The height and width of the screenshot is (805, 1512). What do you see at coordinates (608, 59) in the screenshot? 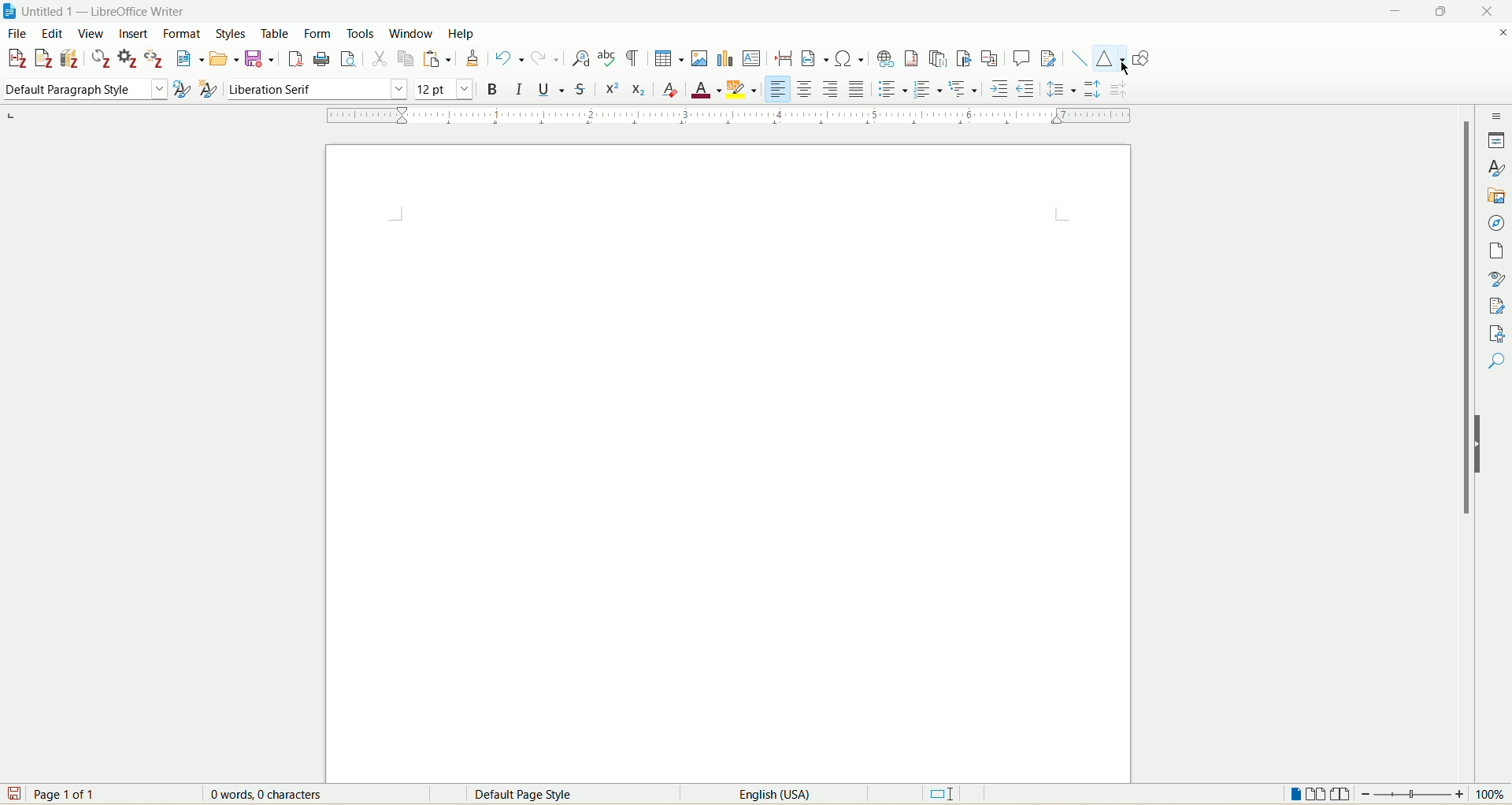
I see `spell check` at bounding box center [608, 59].